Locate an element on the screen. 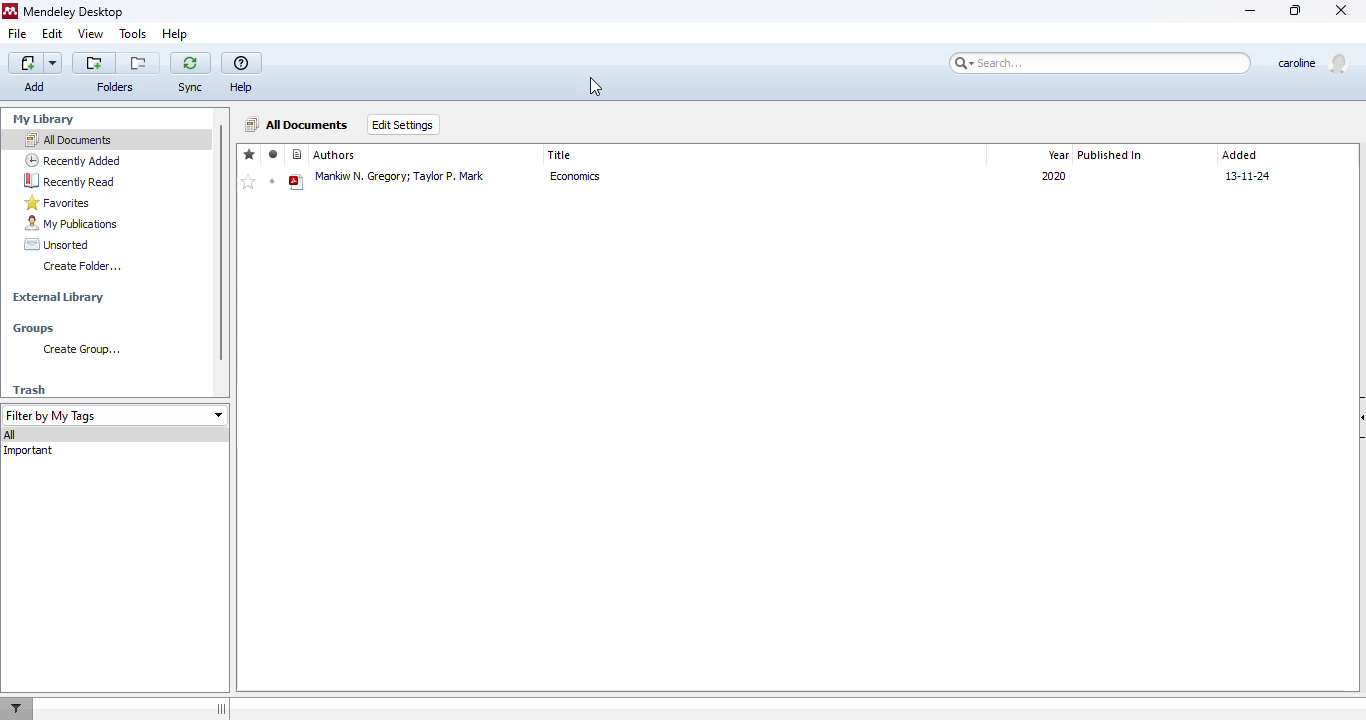 This screenshot has height=720, width=1366. 13-11-24 is located at coordinates (1254, 175).